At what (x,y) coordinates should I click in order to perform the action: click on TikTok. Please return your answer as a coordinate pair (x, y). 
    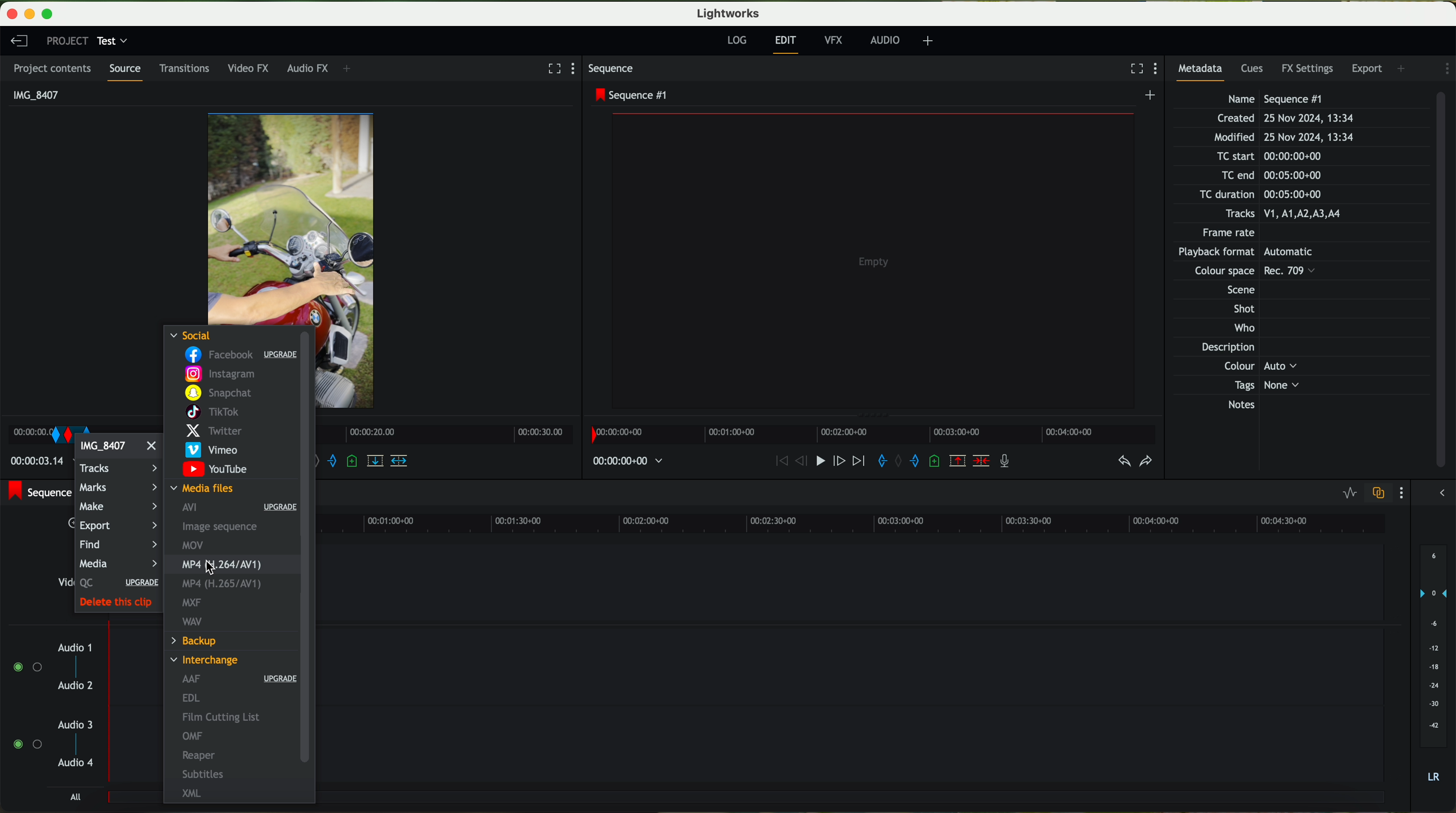
    Looking at the image, I should click on (209, 414).